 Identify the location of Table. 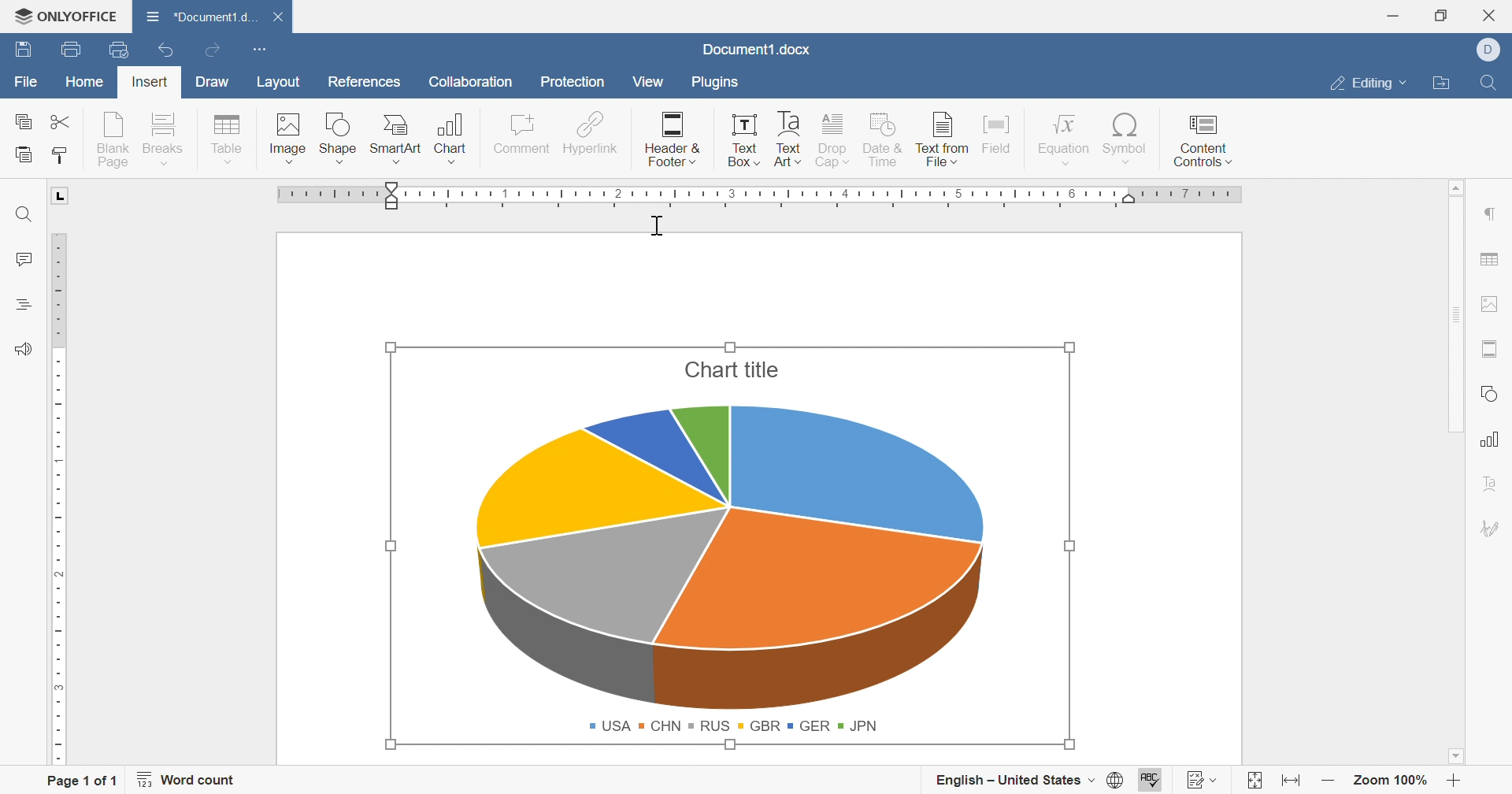
(227, 138).